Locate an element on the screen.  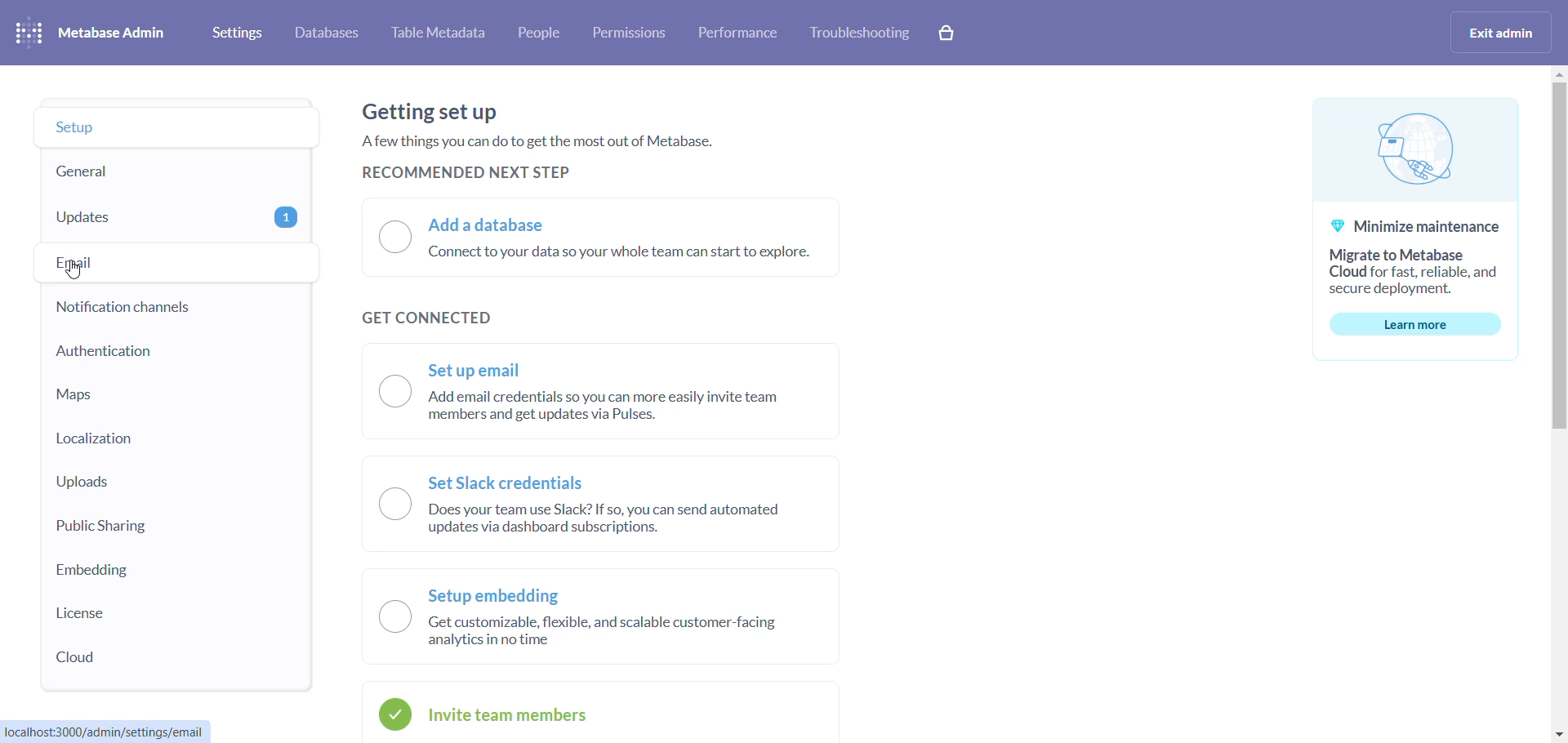
learn more button is located at coordinates (1419, 325).